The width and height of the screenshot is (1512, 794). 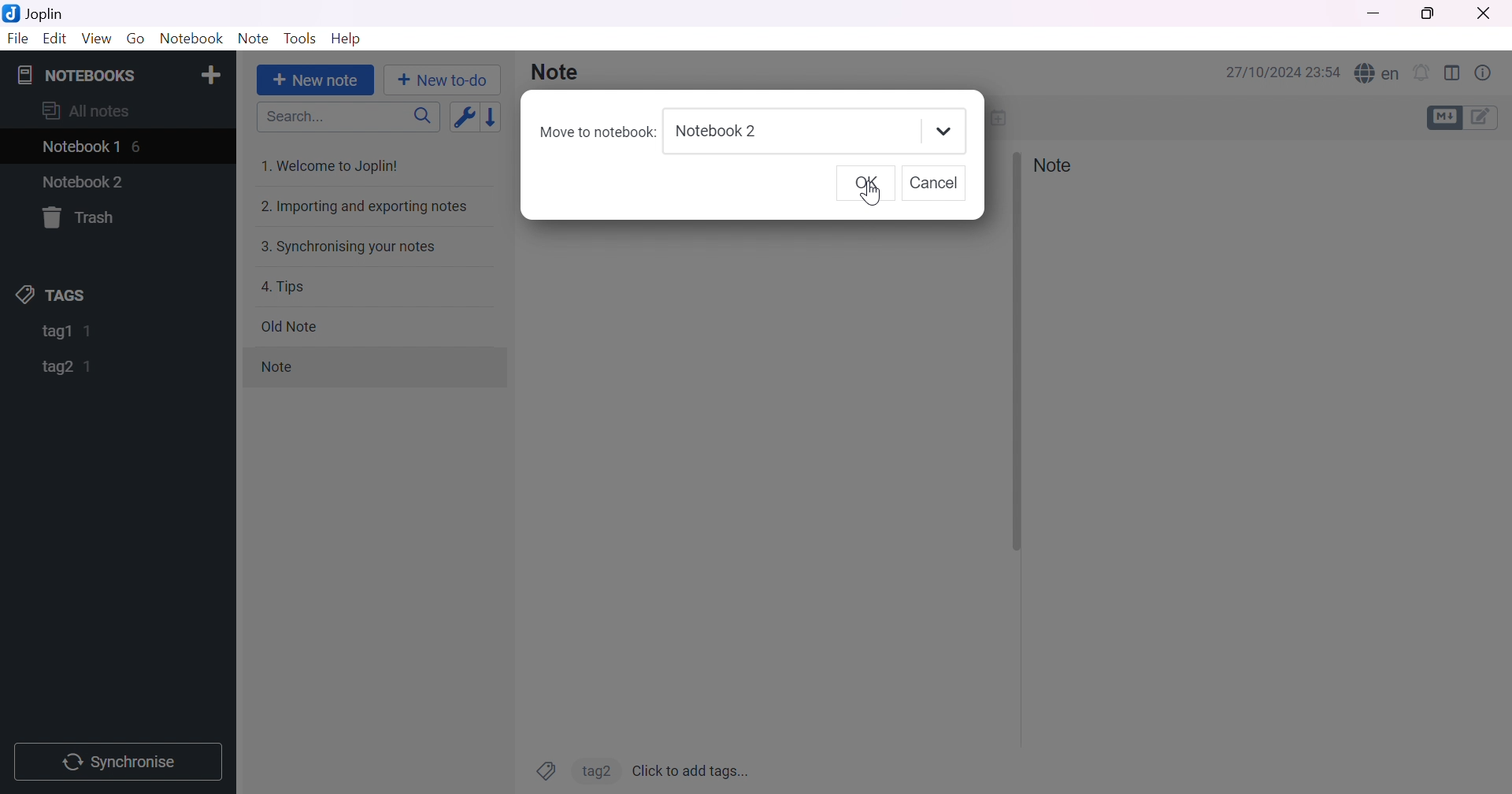 I want to click on View, so click(x=98, y=39).